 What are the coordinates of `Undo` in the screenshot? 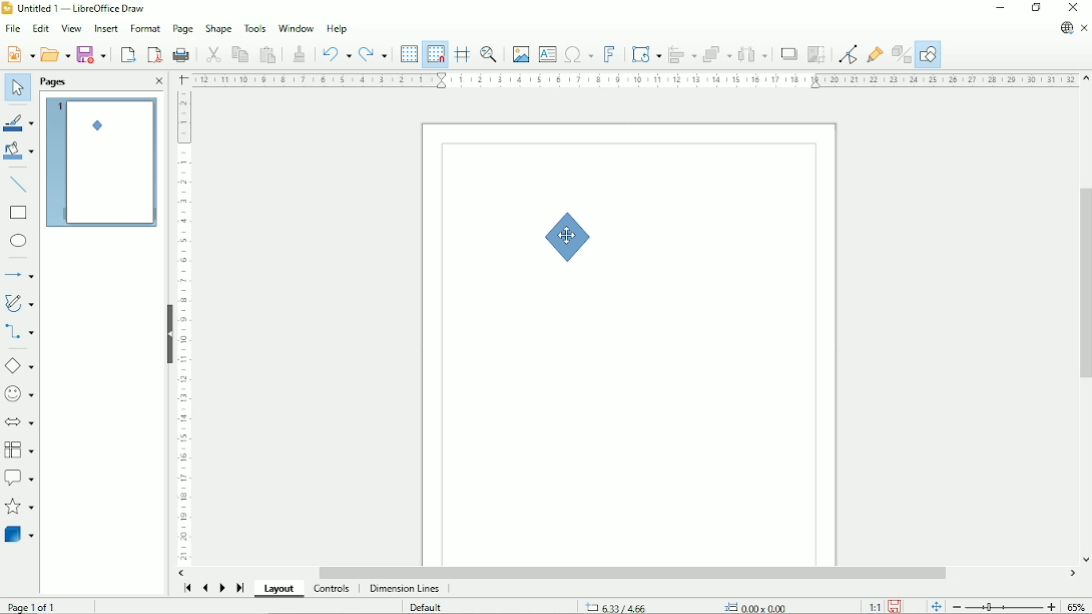 It's located at (335, 53).